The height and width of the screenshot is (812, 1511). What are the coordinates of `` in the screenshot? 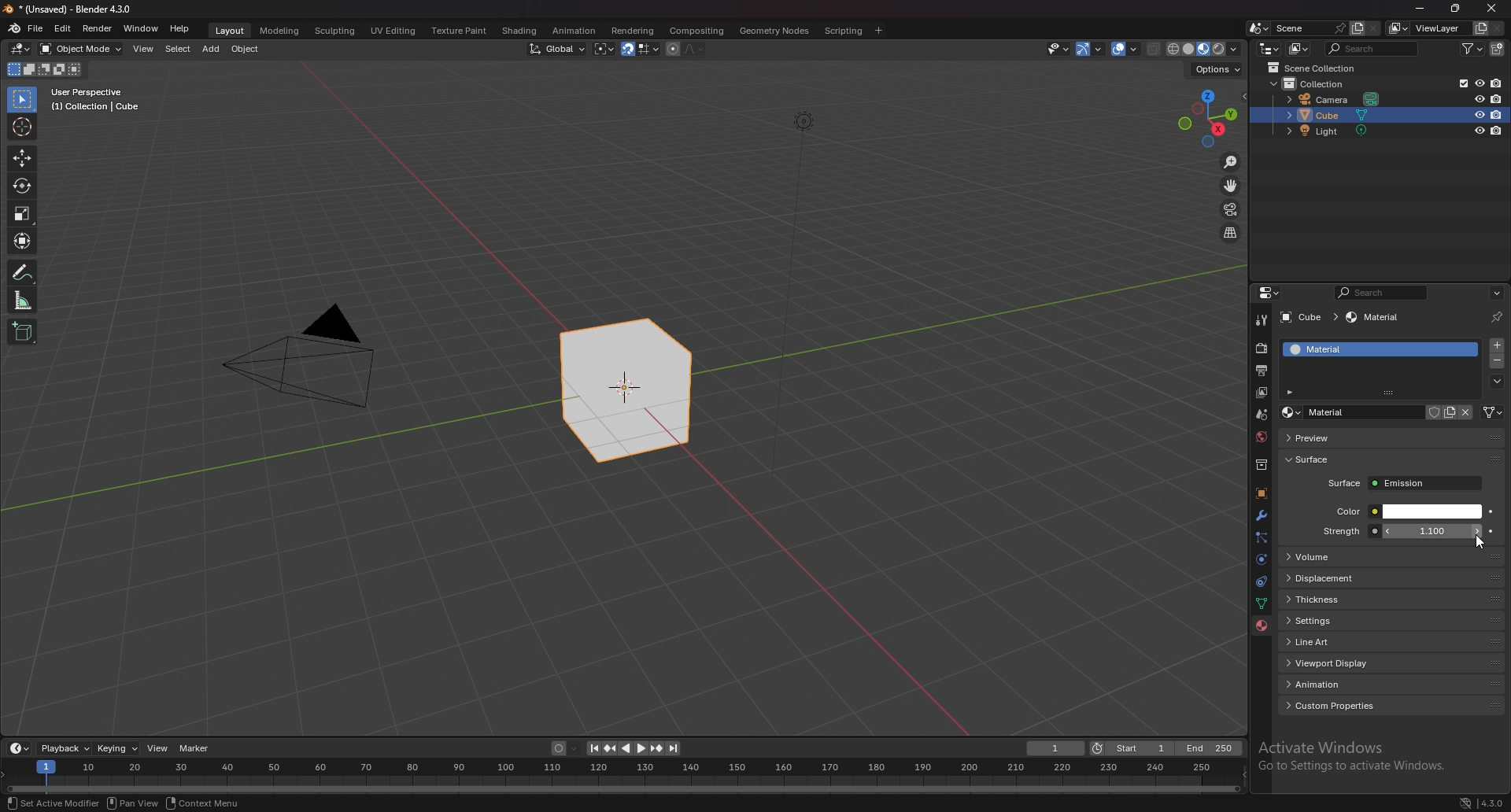 It's located at (302, 362).